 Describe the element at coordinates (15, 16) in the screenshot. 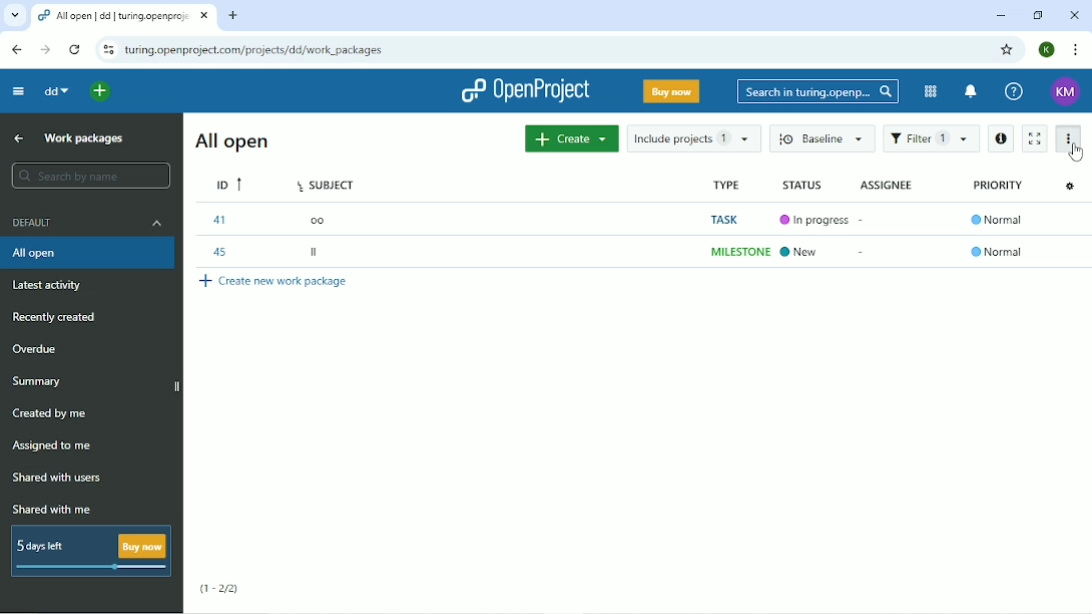

I see `search tabs` at that location.